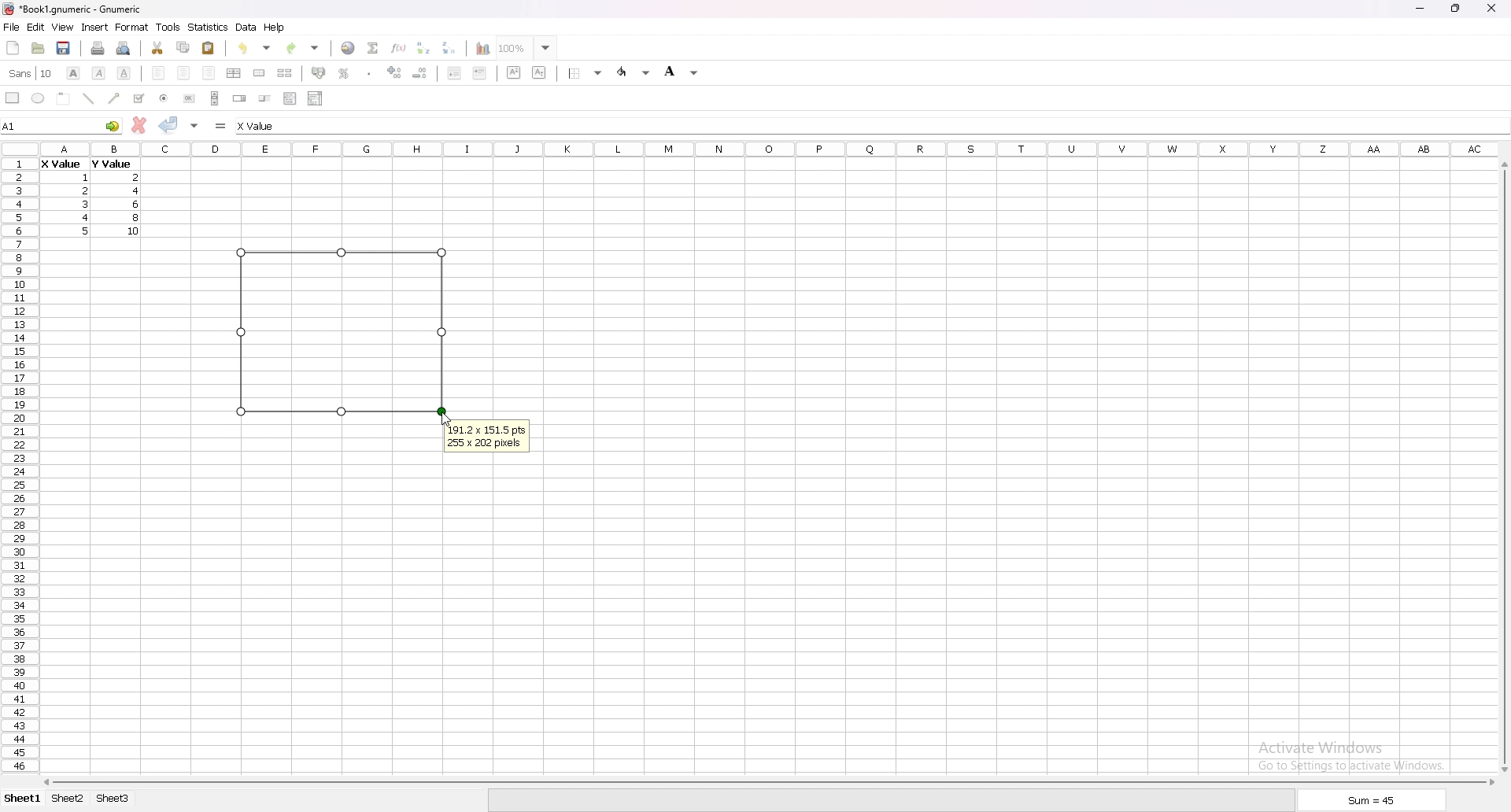 This screenshot has width=1511, height=812. Describe the element at coordinates (85, 203) in the screenshot. I see `value` at that location.